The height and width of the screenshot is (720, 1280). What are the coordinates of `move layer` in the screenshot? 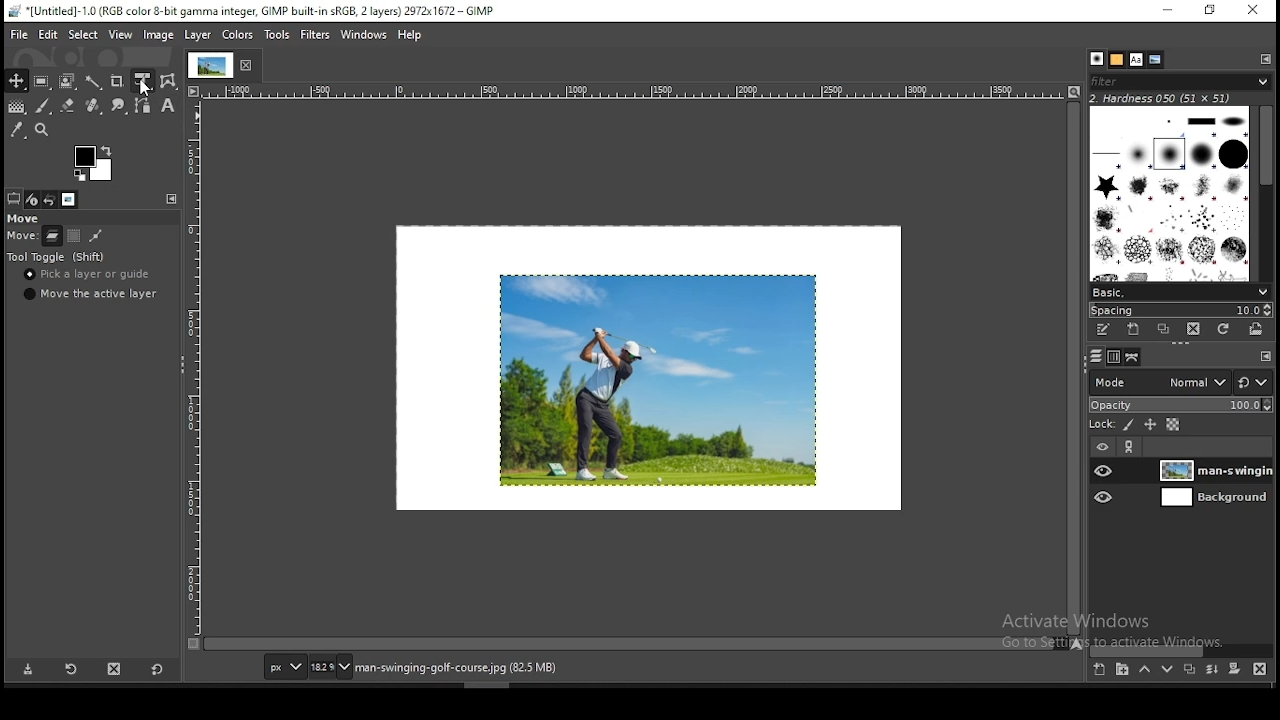 It's located at (50, 236).